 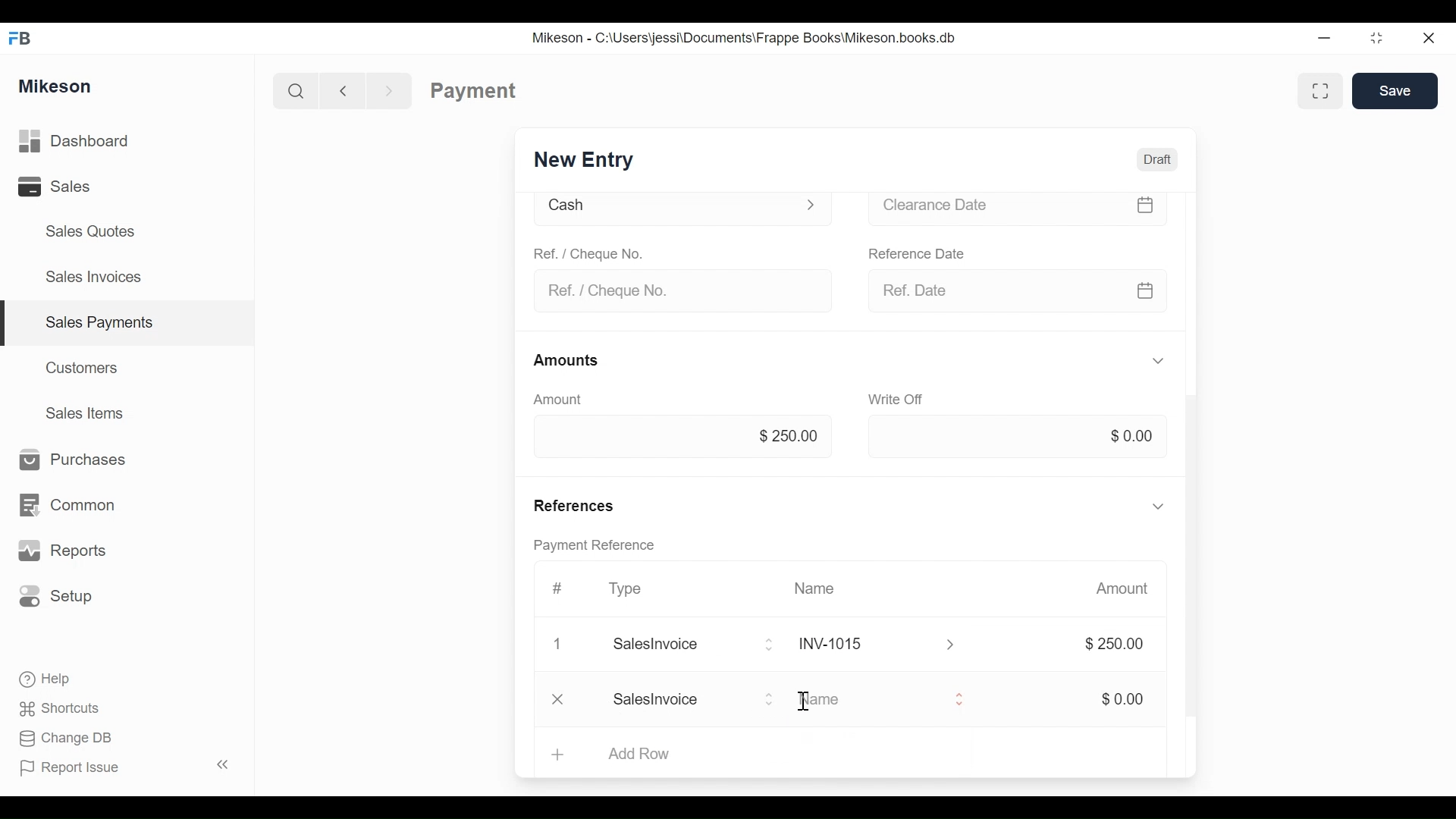 What do you see at coordinates (1324, 40) in the screenshot?
I see `Minimize` at bounding box center [1324, 40].